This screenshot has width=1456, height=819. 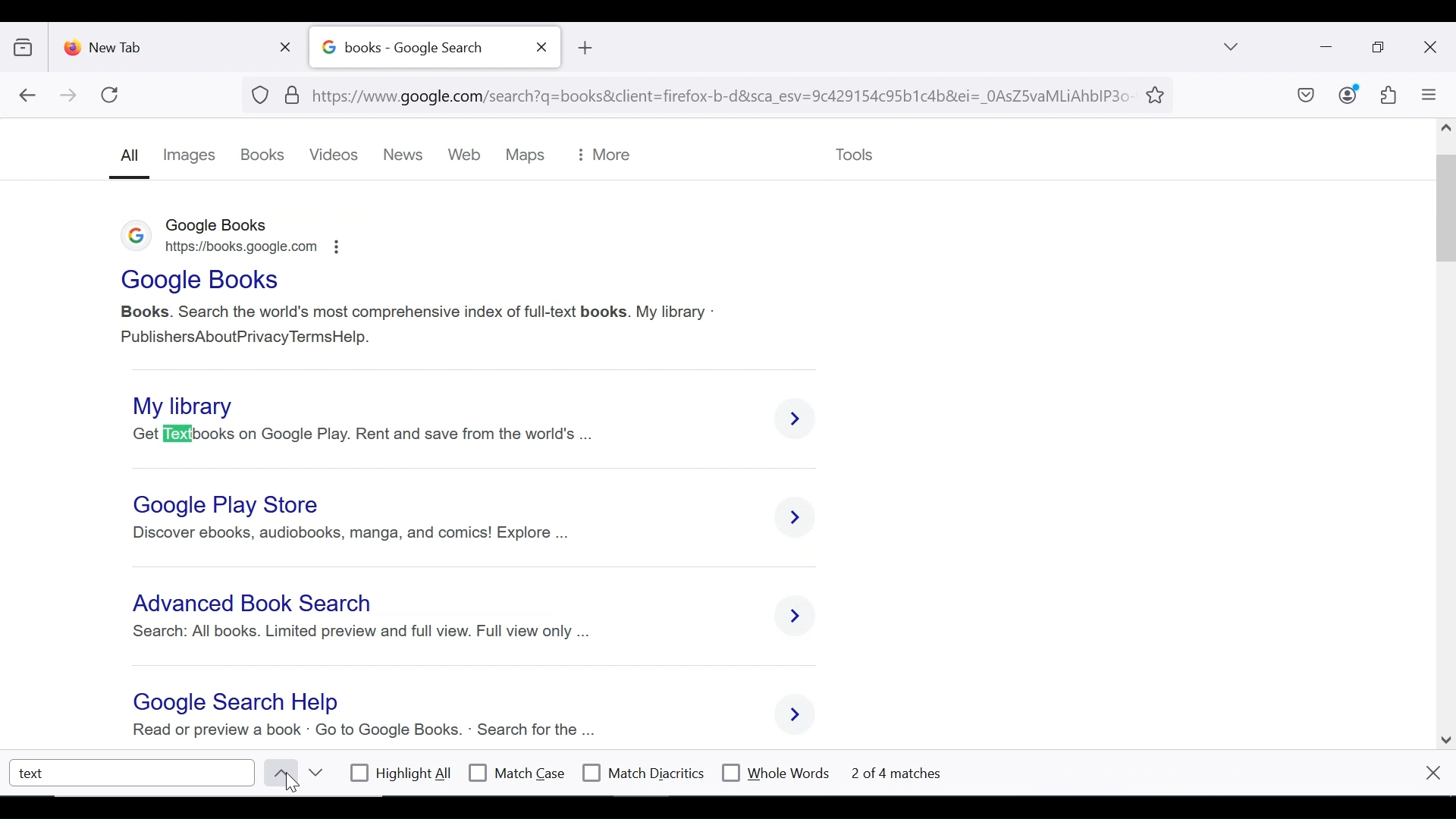 I want to click on web, so click(x=467, y=156).